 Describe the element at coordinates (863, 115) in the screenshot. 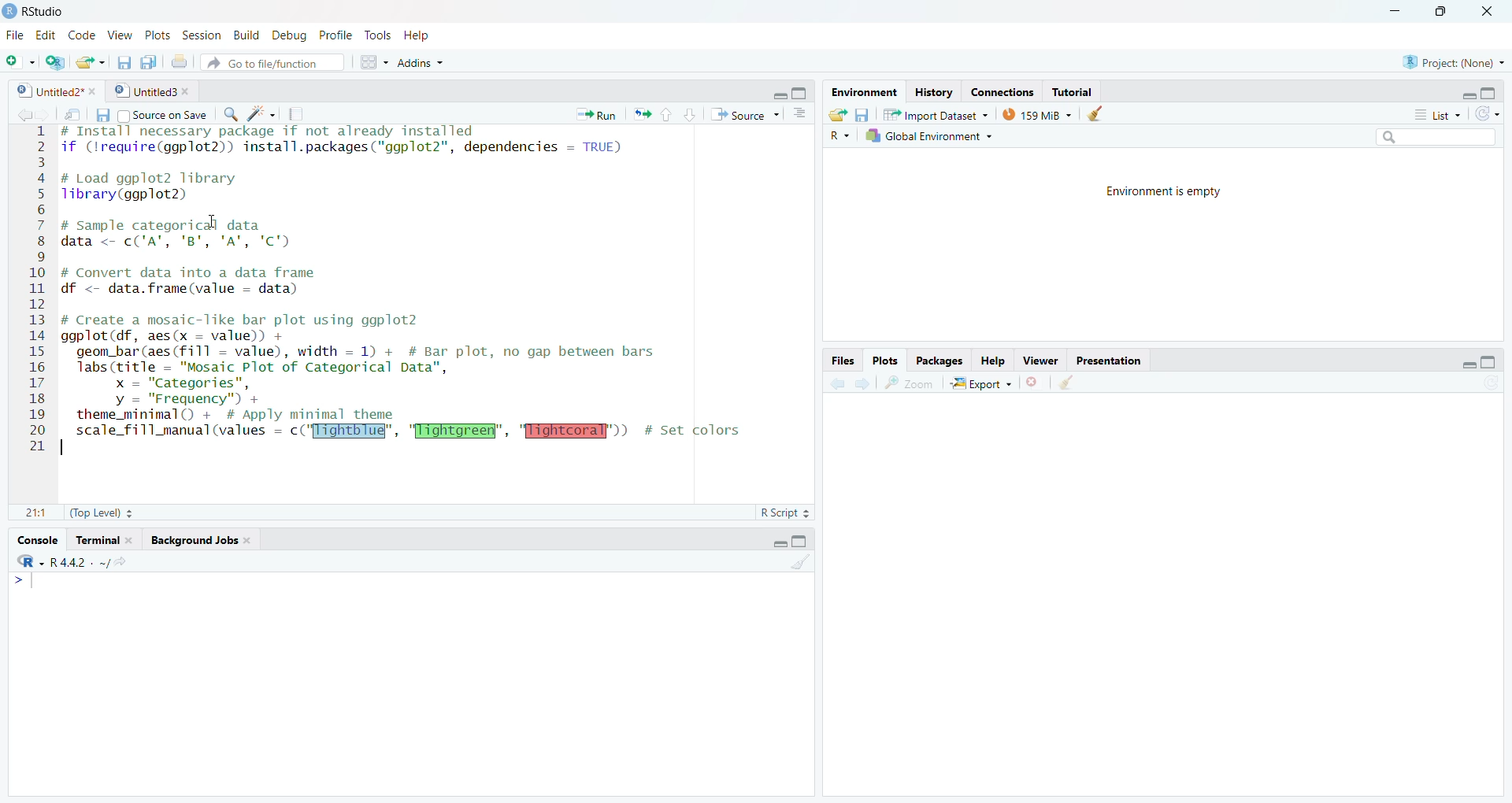

I see `Save` at that location.